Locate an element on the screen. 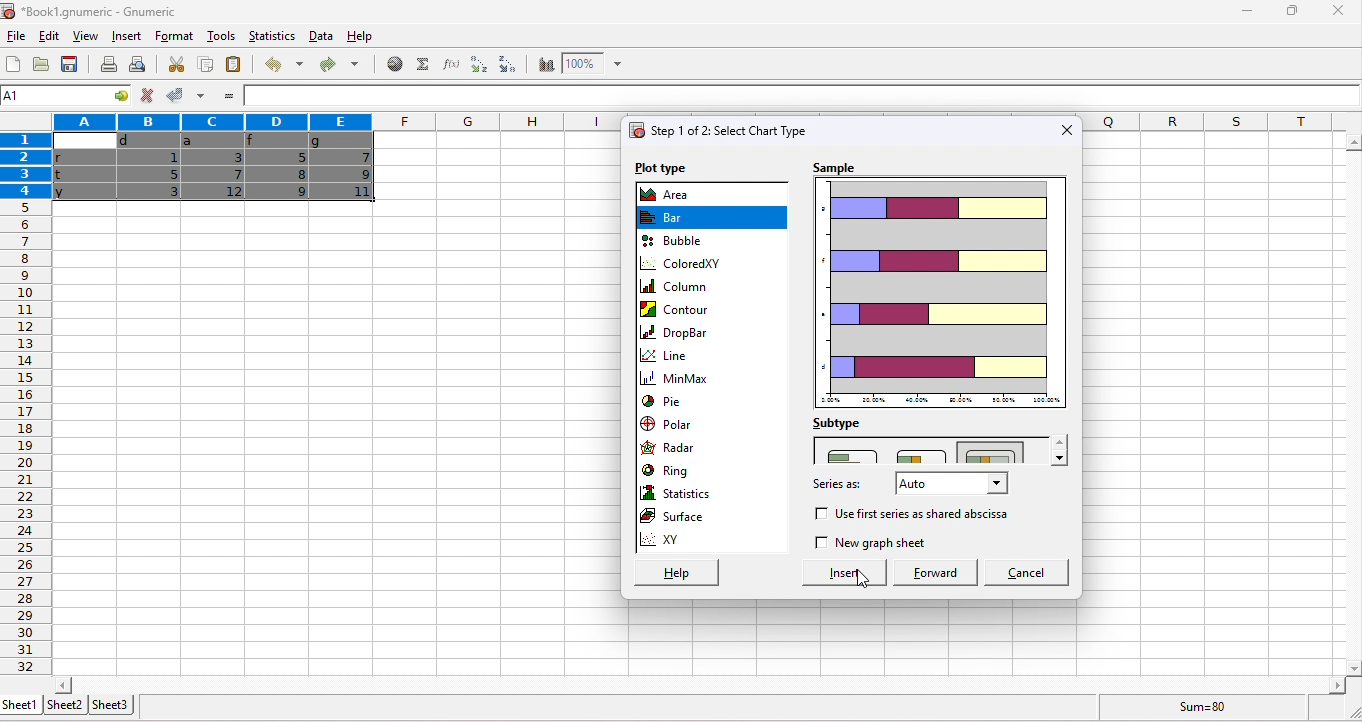  sort descending is located at coordinates (508, 64).